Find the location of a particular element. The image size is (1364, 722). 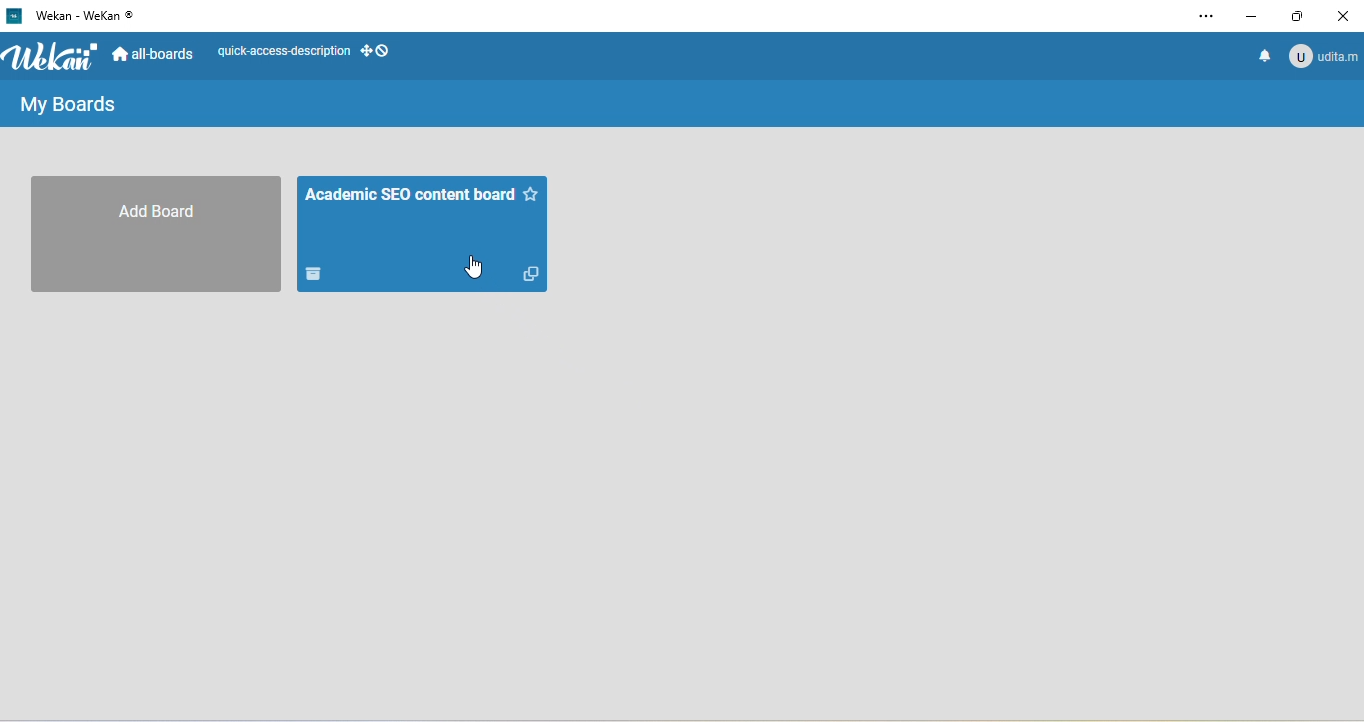

all-boards is located at coordinates (155, 52).